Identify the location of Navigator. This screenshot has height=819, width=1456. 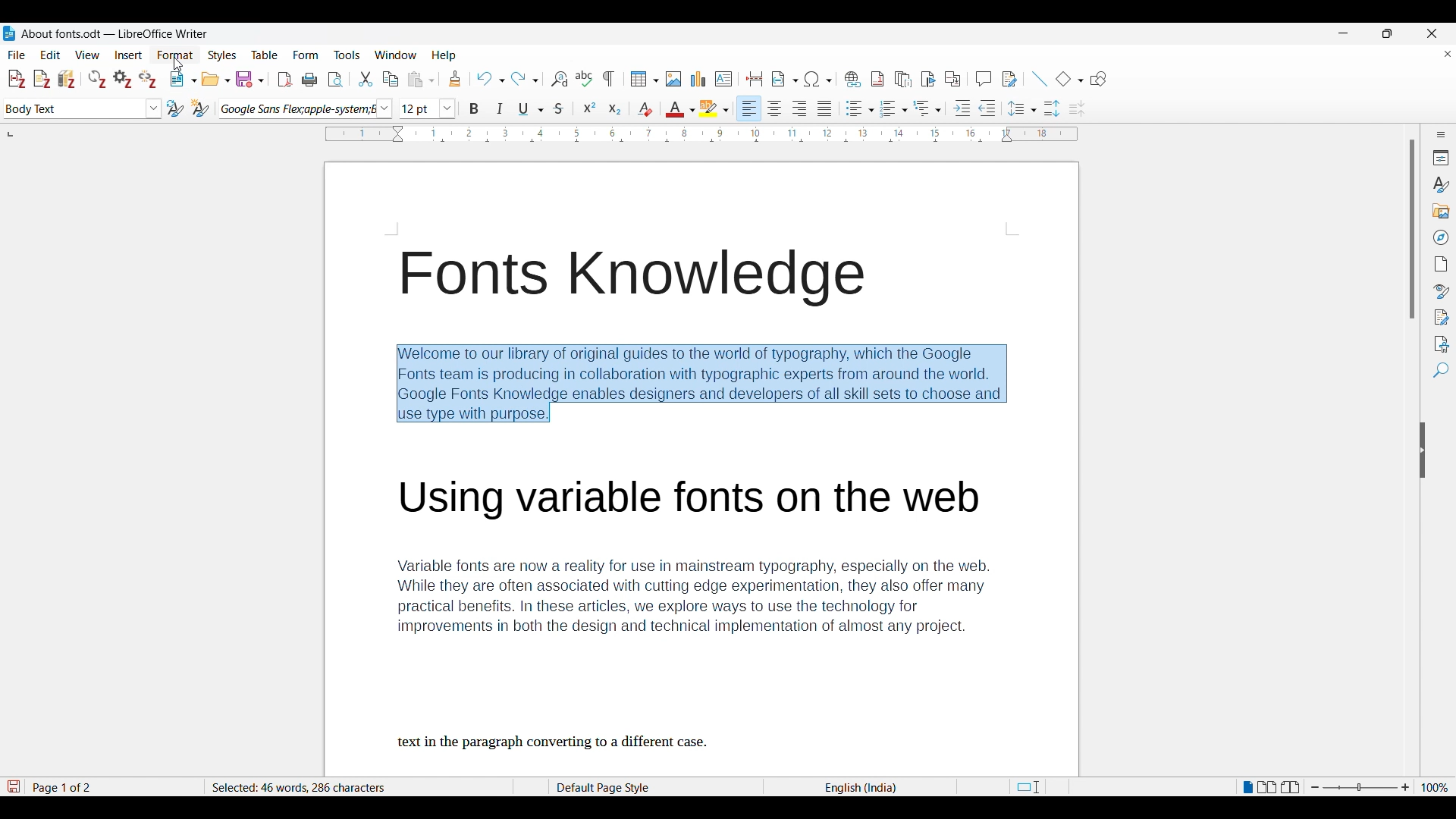
(1442, 237).